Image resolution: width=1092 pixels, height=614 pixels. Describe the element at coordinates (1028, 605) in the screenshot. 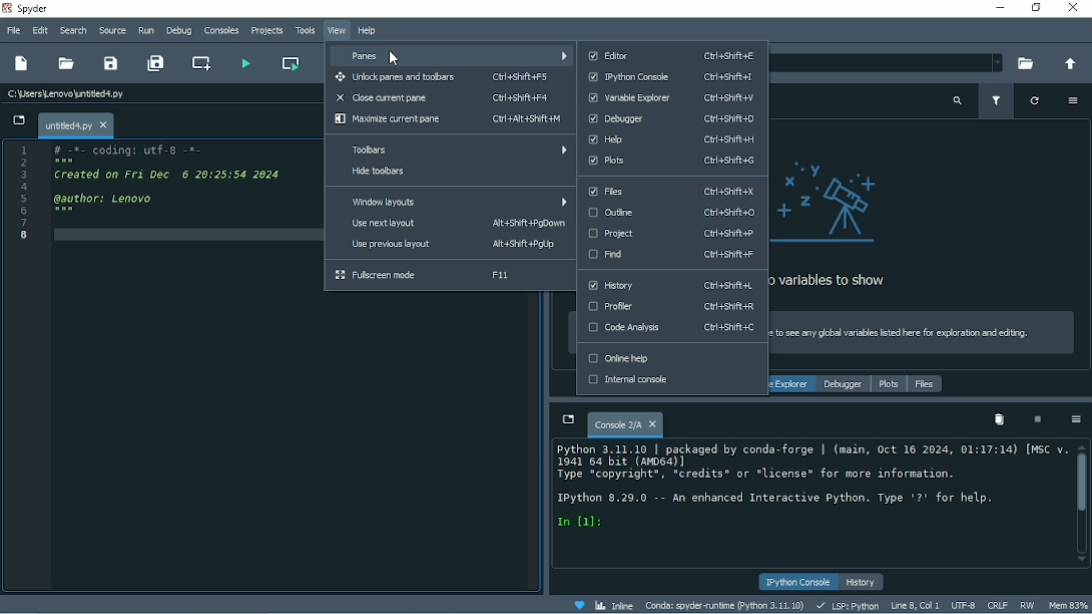

I see `RW` at that location.